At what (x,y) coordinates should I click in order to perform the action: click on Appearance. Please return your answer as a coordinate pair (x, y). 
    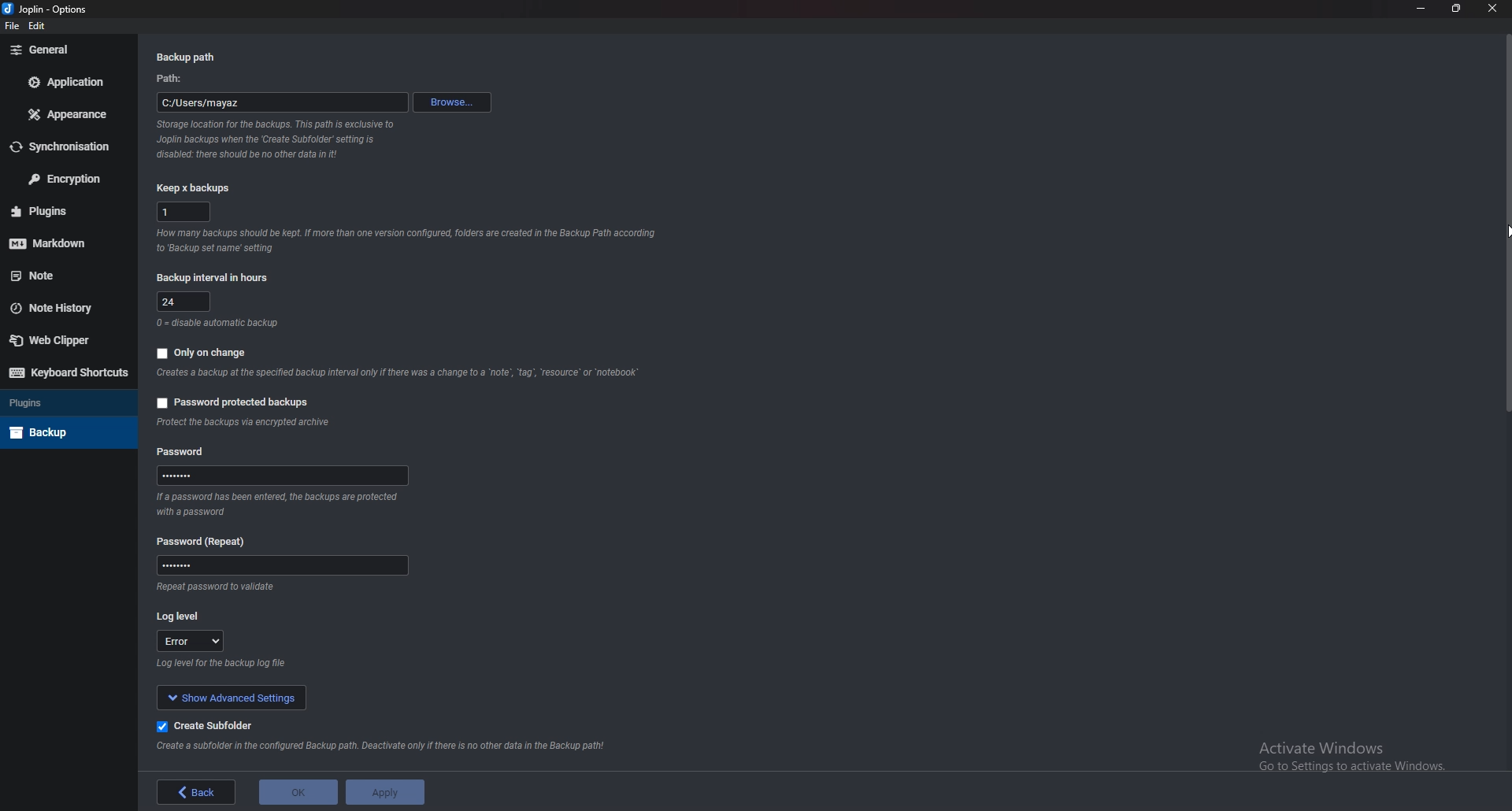
    Looking at the image, I should click on (72, 113).